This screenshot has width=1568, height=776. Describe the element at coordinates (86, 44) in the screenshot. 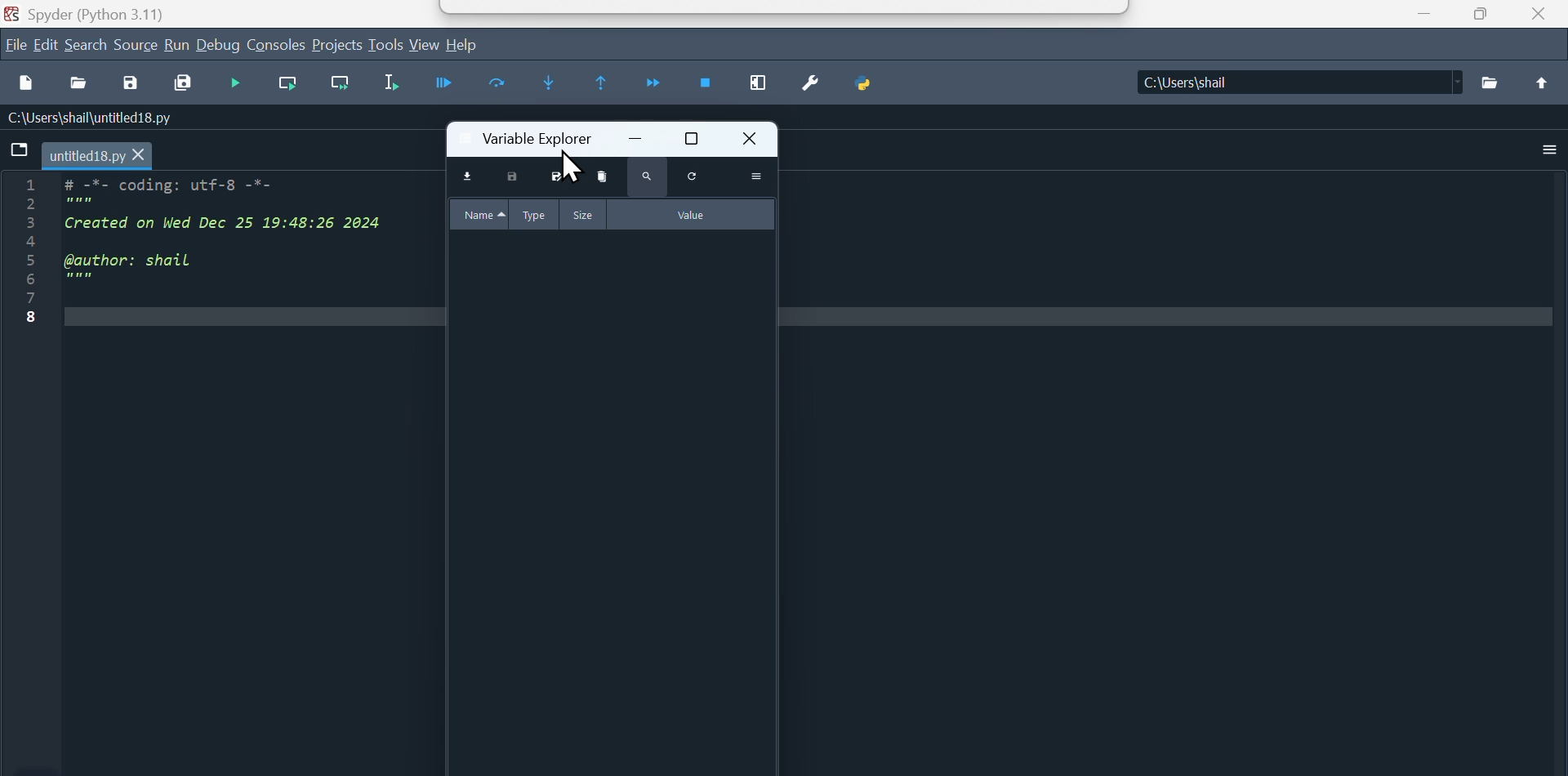

I see `search` at that location.